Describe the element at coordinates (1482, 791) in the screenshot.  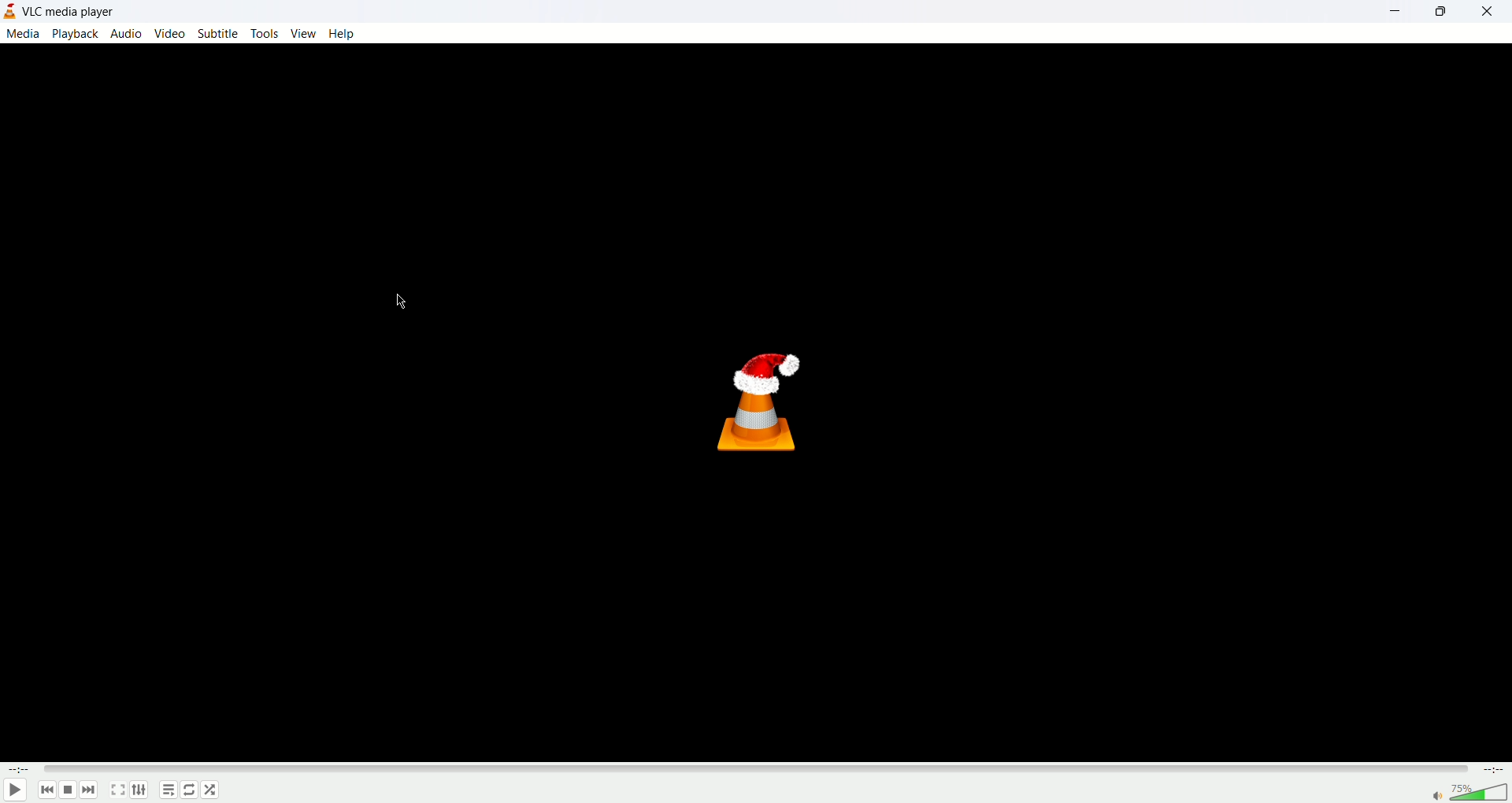
I see `volume bar` at that location.